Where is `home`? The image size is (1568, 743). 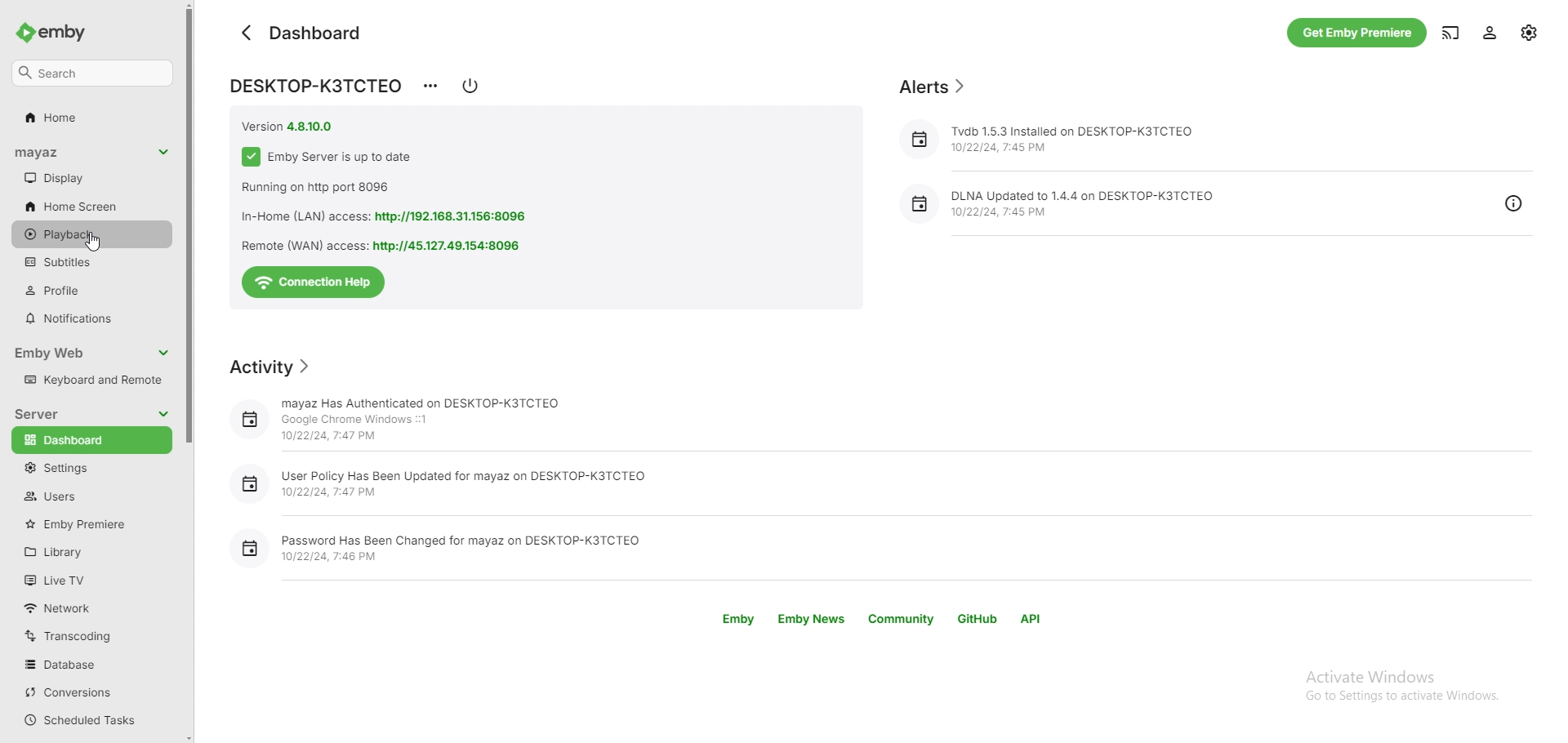 home is located at coordinates (88, 118).